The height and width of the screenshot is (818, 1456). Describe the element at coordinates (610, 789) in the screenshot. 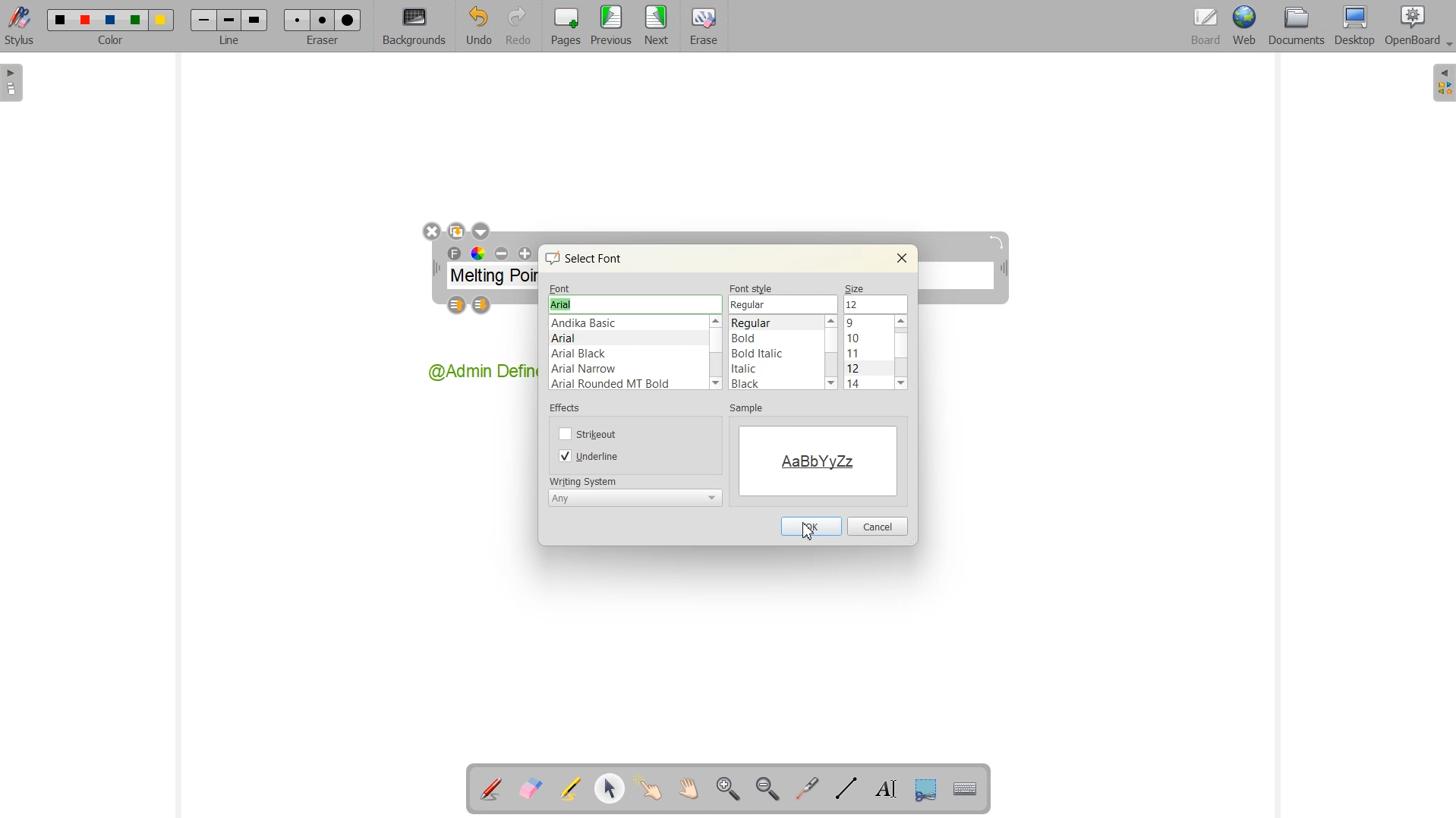

I see `Select and modify object` at that location.